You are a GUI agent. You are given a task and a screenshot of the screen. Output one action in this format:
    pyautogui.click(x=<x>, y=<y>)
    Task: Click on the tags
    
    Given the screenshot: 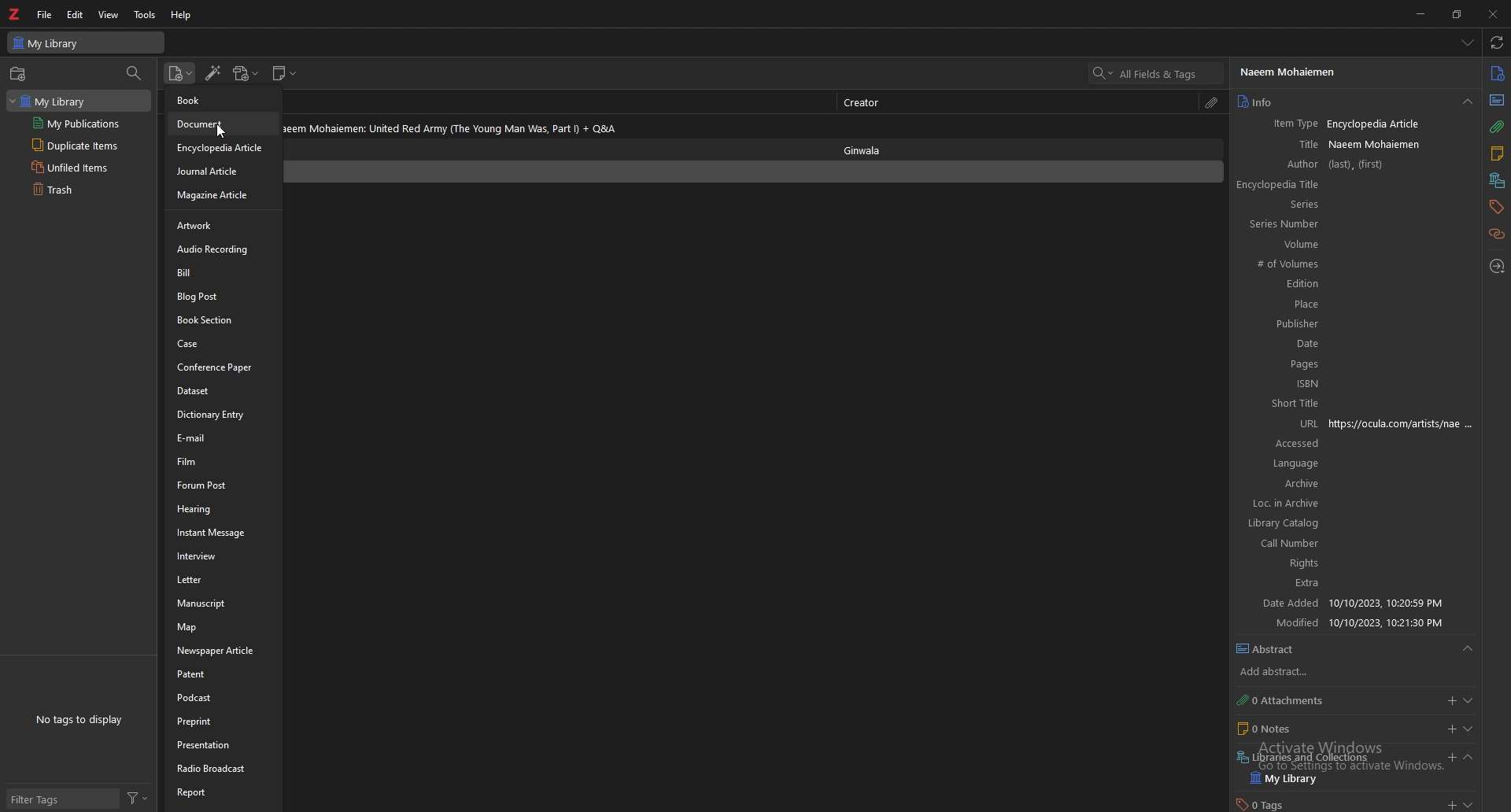 What is the action you would take?
    pyautogui.click(x=1335, y=803)
    